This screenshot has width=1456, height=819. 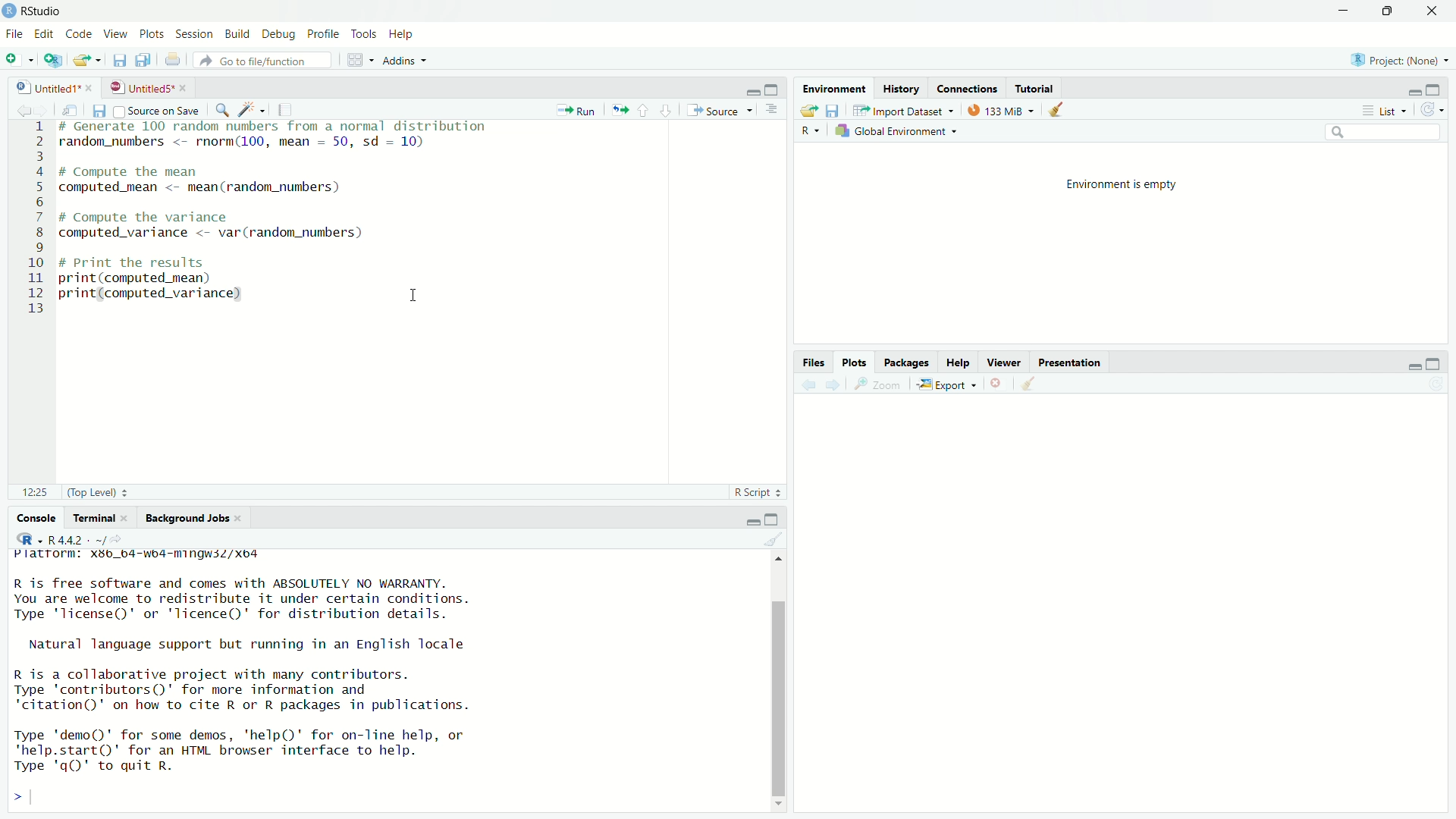 I want to click on export, so click(x=949, y=384).